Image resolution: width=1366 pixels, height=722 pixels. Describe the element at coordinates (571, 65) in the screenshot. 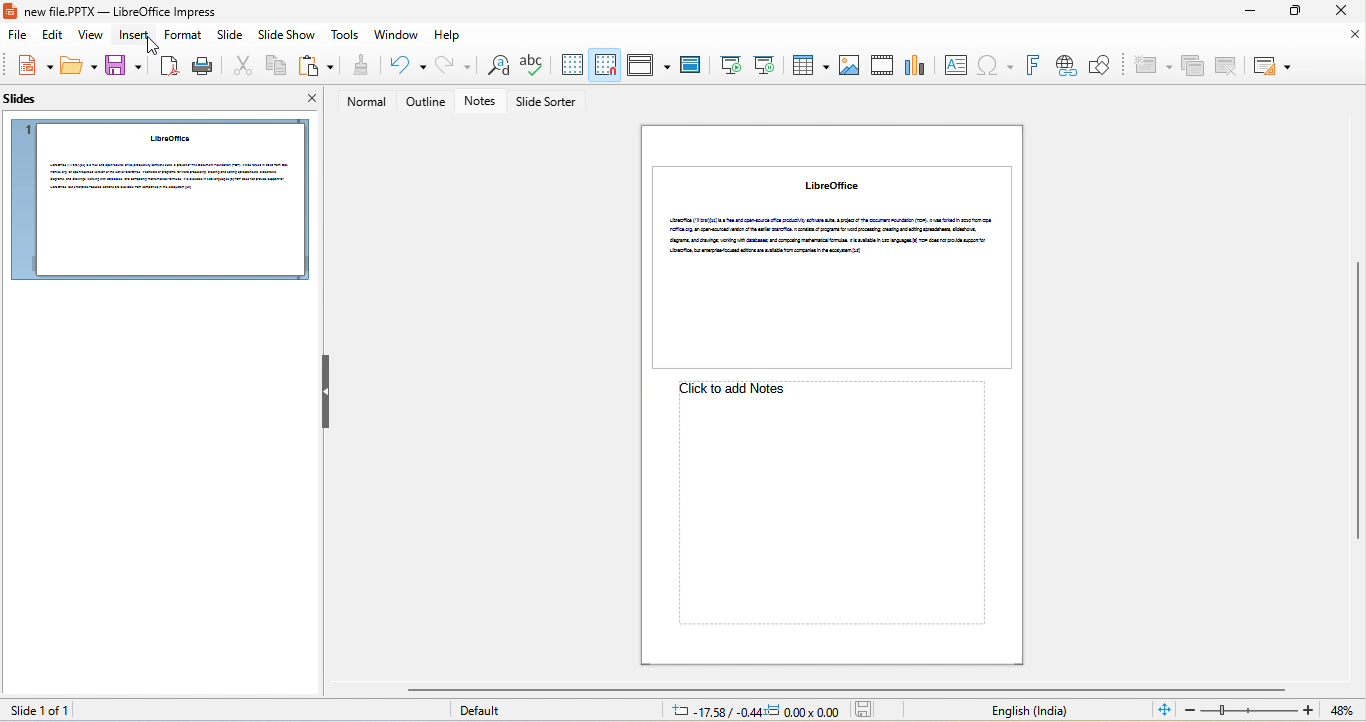

I see `display to grid` at that location.